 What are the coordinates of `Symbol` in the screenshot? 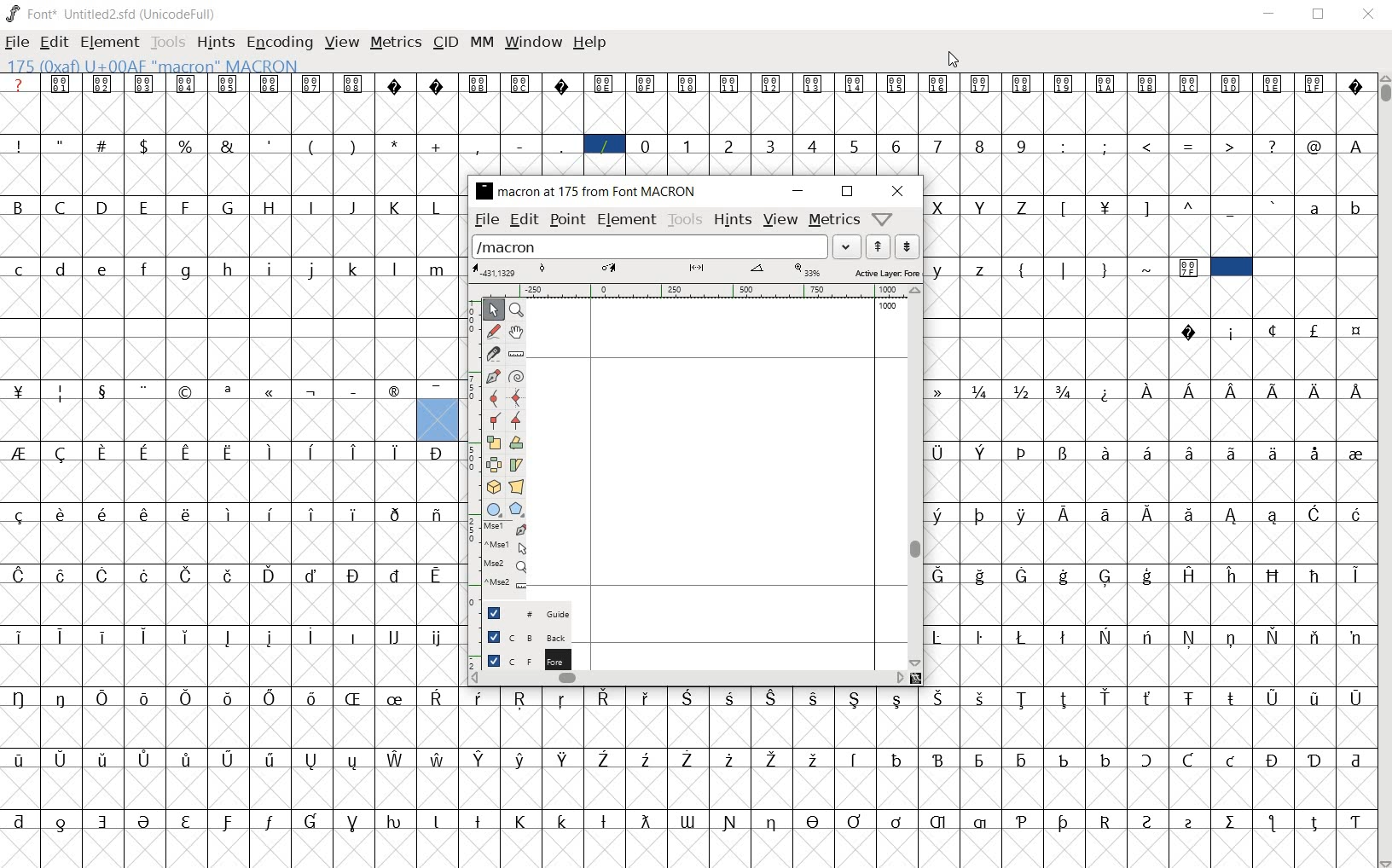 It's located at (689, 83).